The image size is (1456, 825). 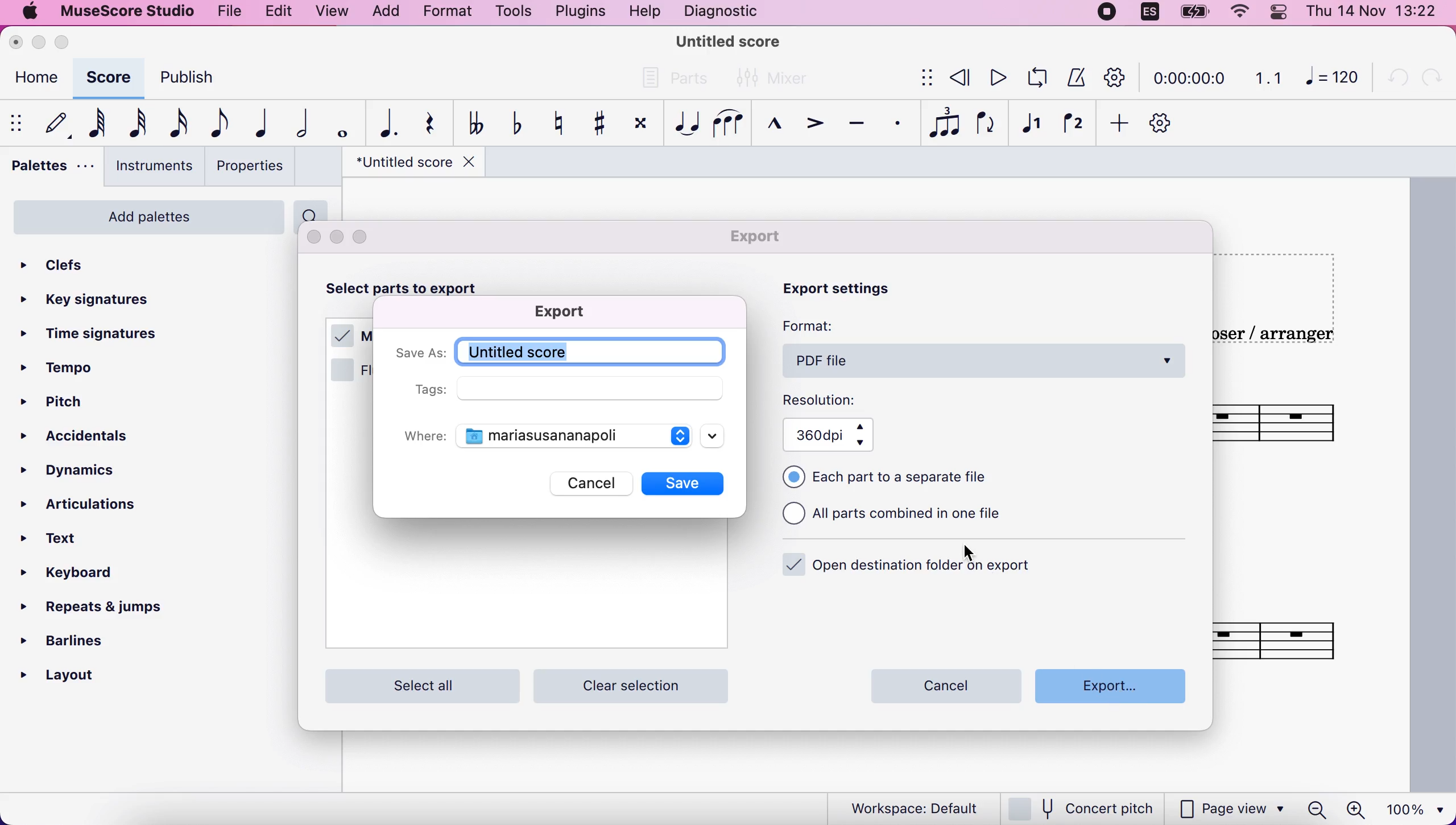 I want to click on clefs, so click(x=71, y=265).